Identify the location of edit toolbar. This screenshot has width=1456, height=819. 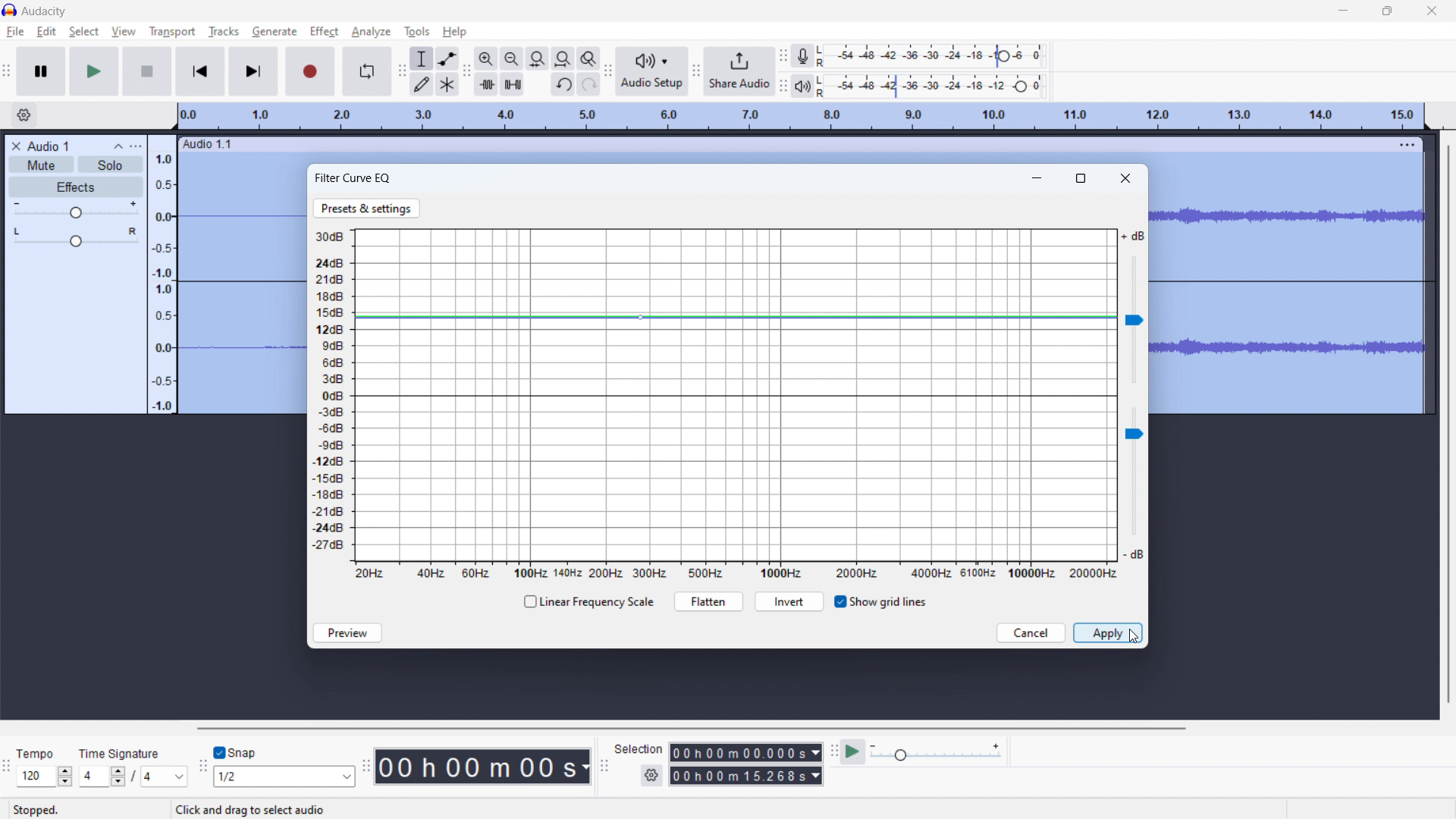
(466, 71).